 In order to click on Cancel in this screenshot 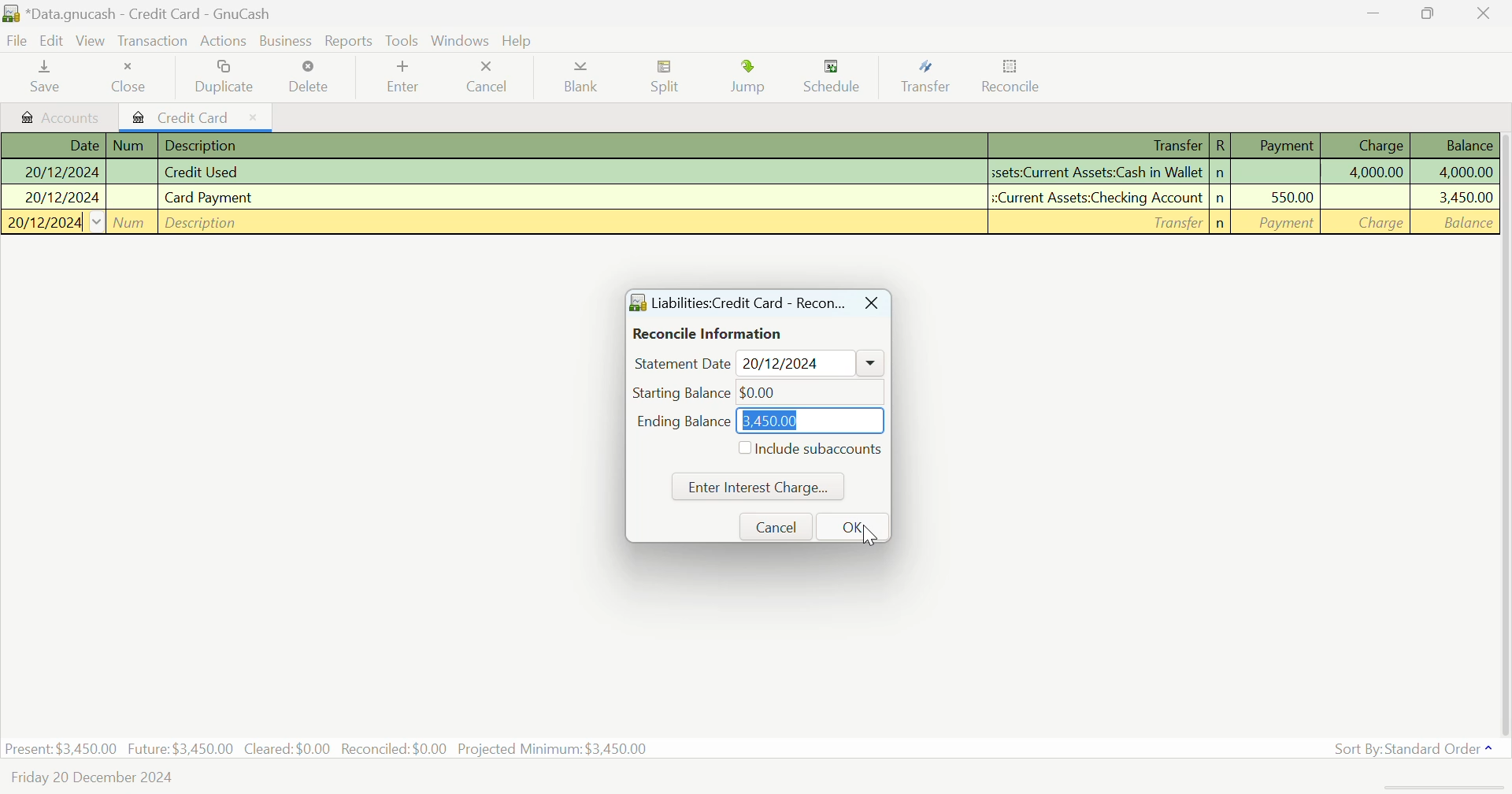, I will do `click(491, 78)`.